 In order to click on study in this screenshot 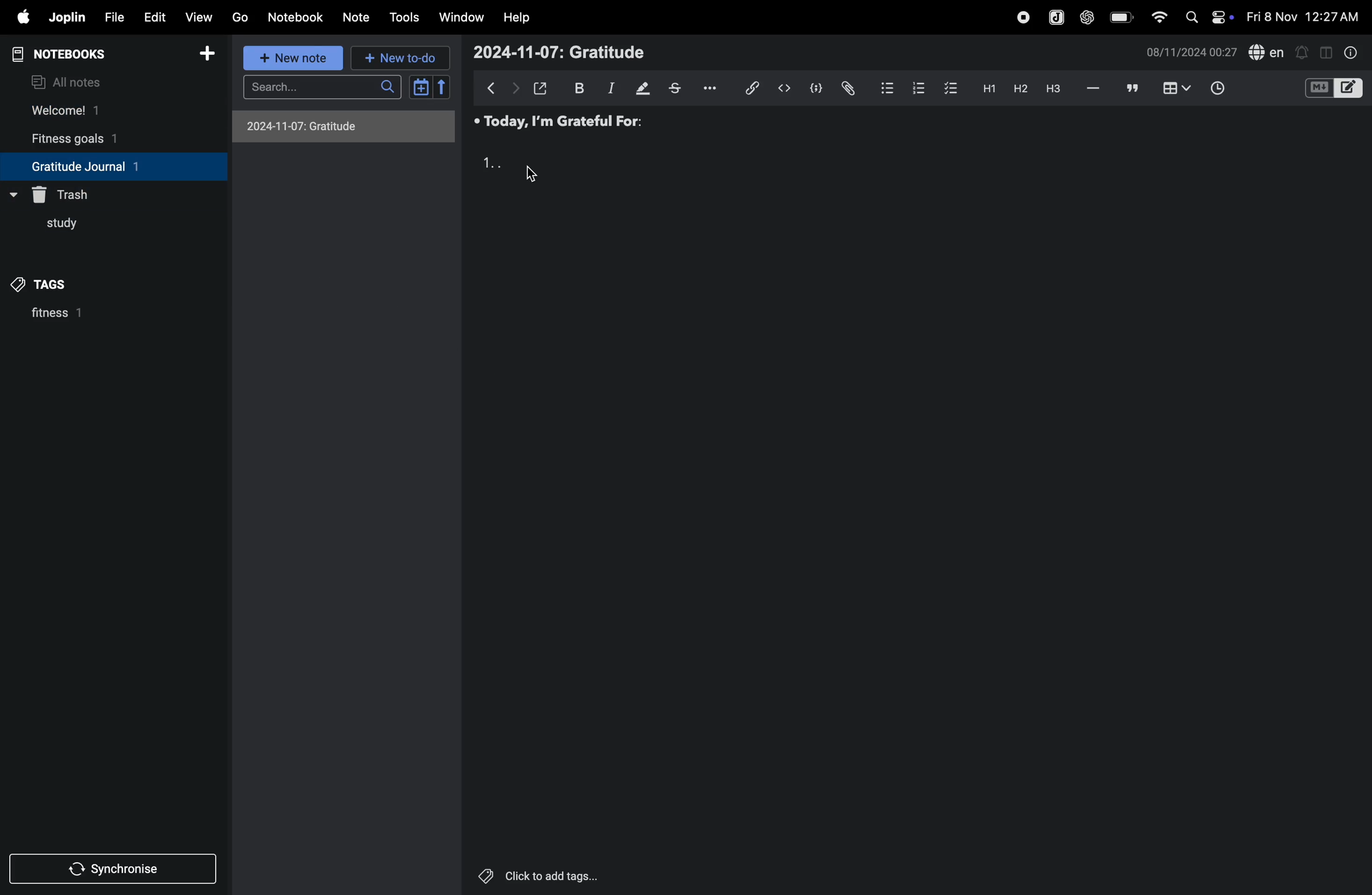, I will do `click(54, 227)`.